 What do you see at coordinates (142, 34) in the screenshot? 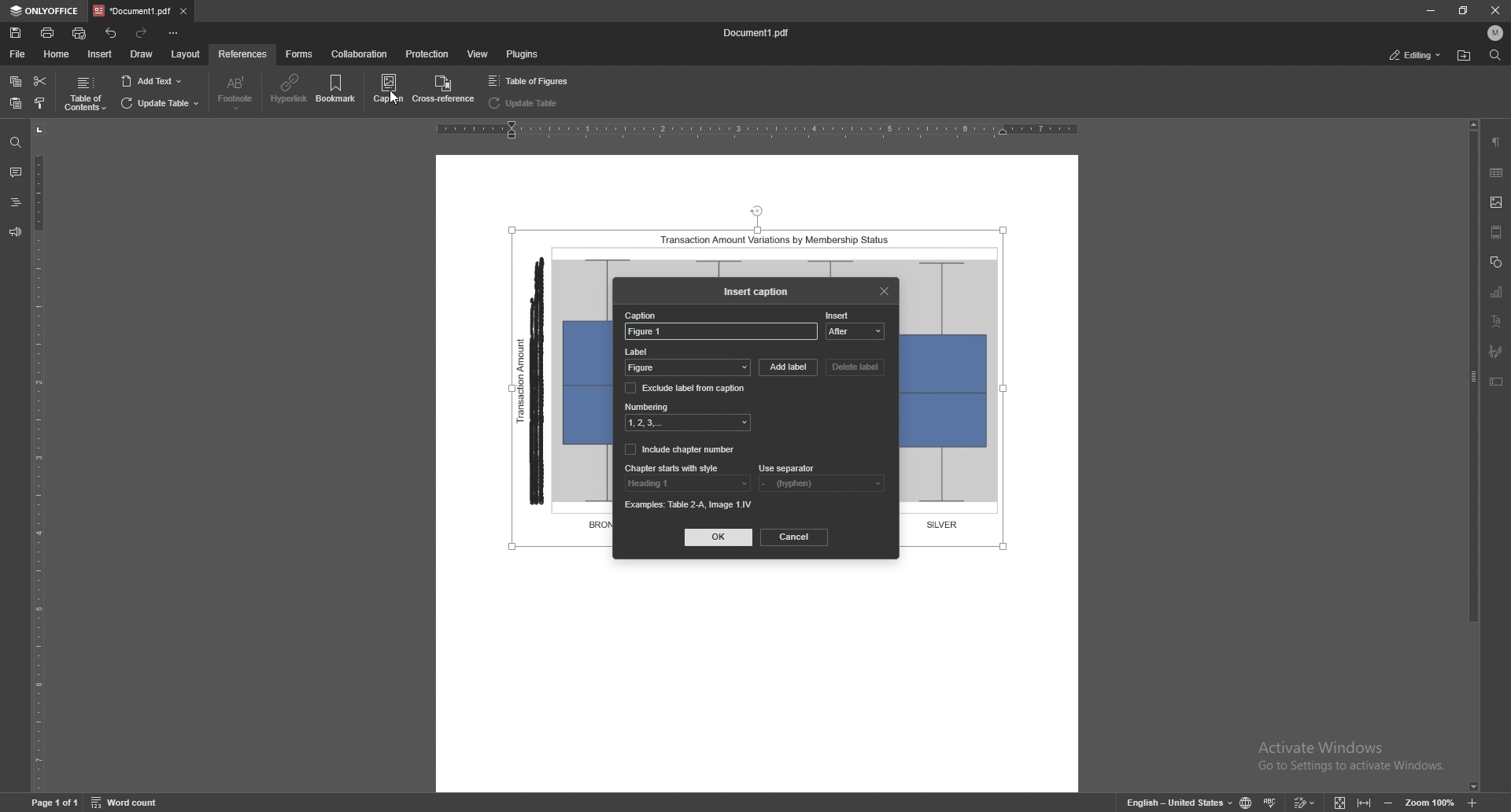
I see `redo` at bounding box center [142, 34].